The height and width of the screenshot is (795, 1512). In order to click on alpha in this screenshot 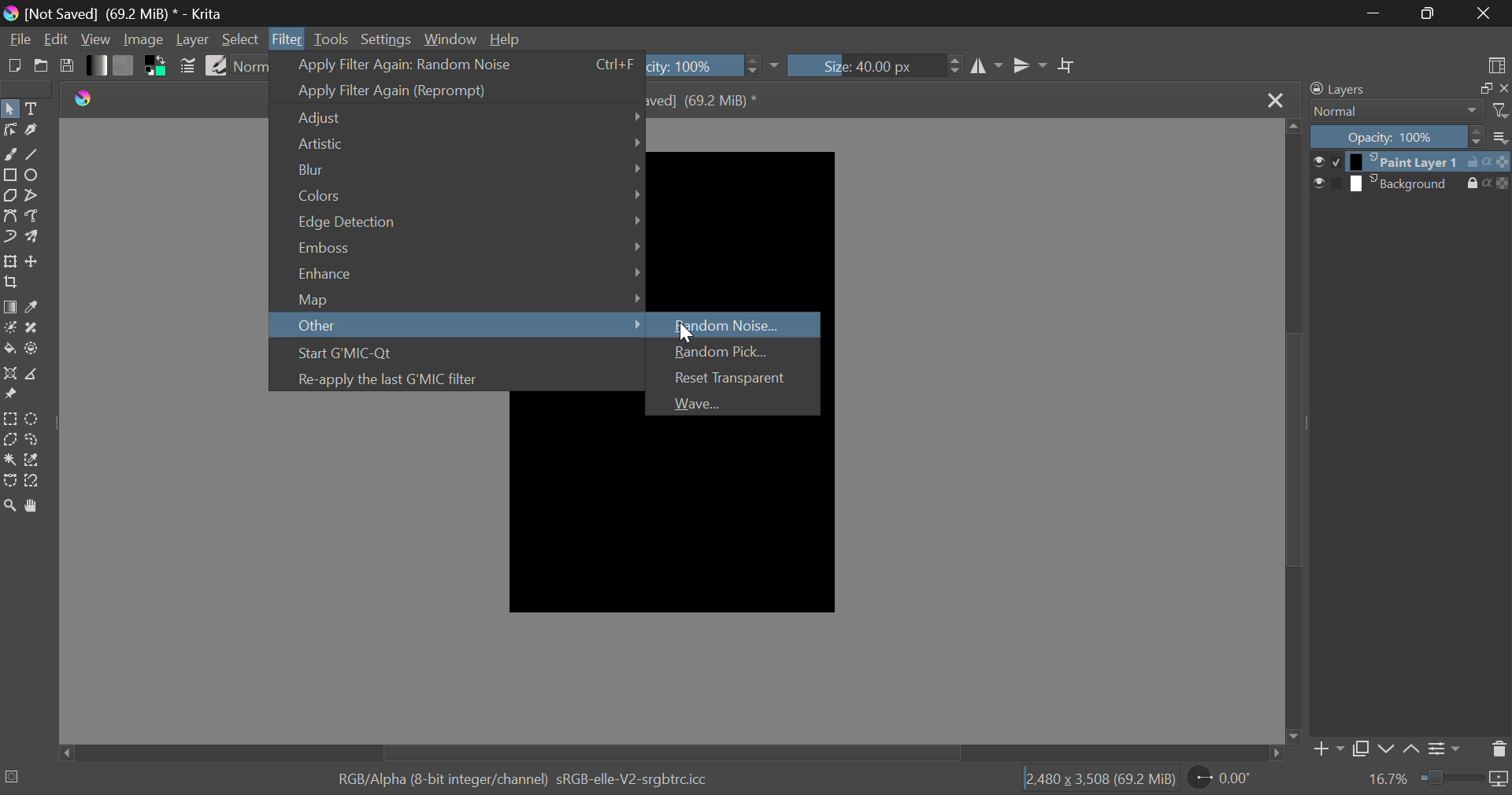, I will do `click(1481, 184)`.